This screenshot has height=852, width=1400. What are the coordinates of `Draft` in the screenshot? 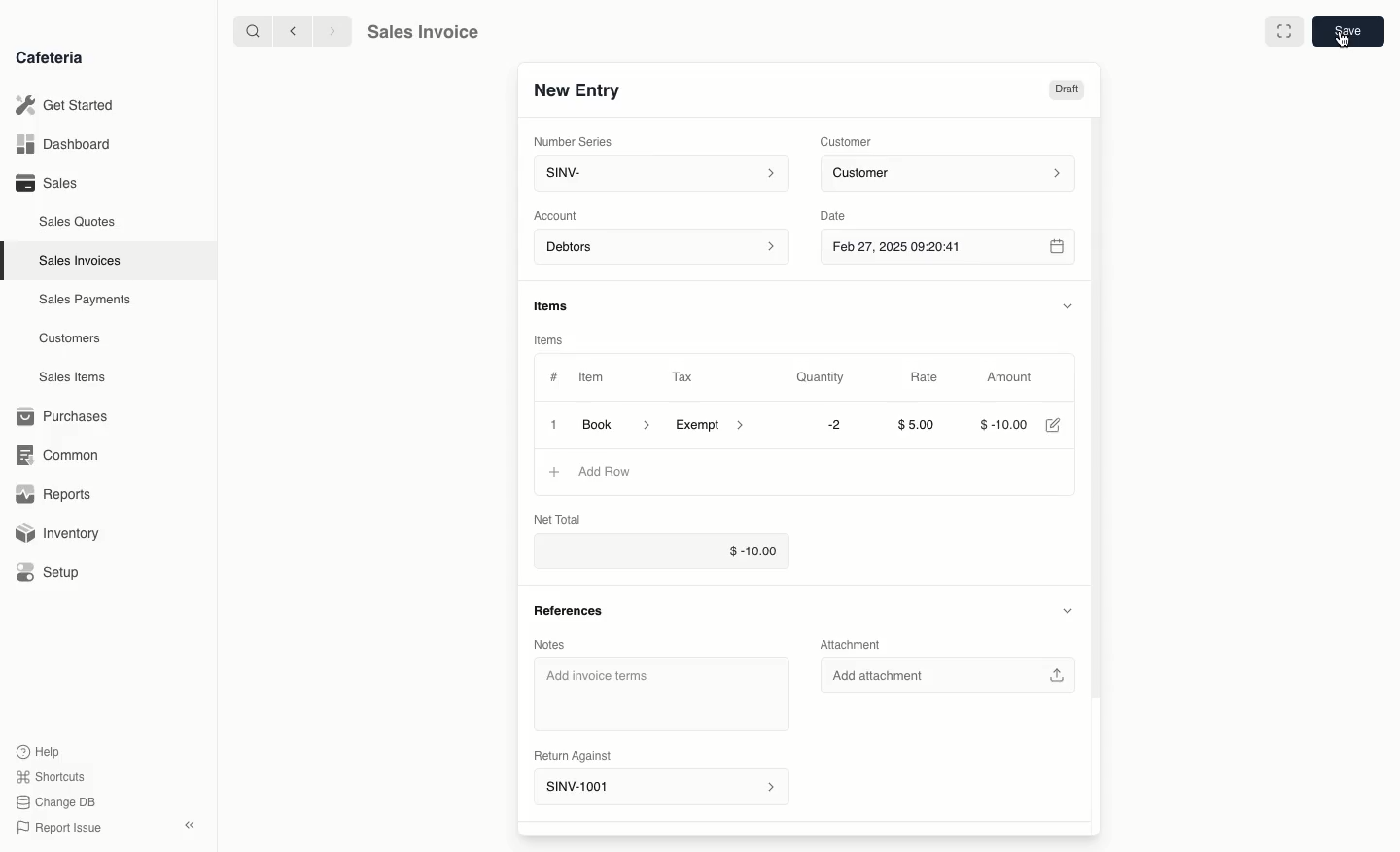 It's located at (1071, 89).